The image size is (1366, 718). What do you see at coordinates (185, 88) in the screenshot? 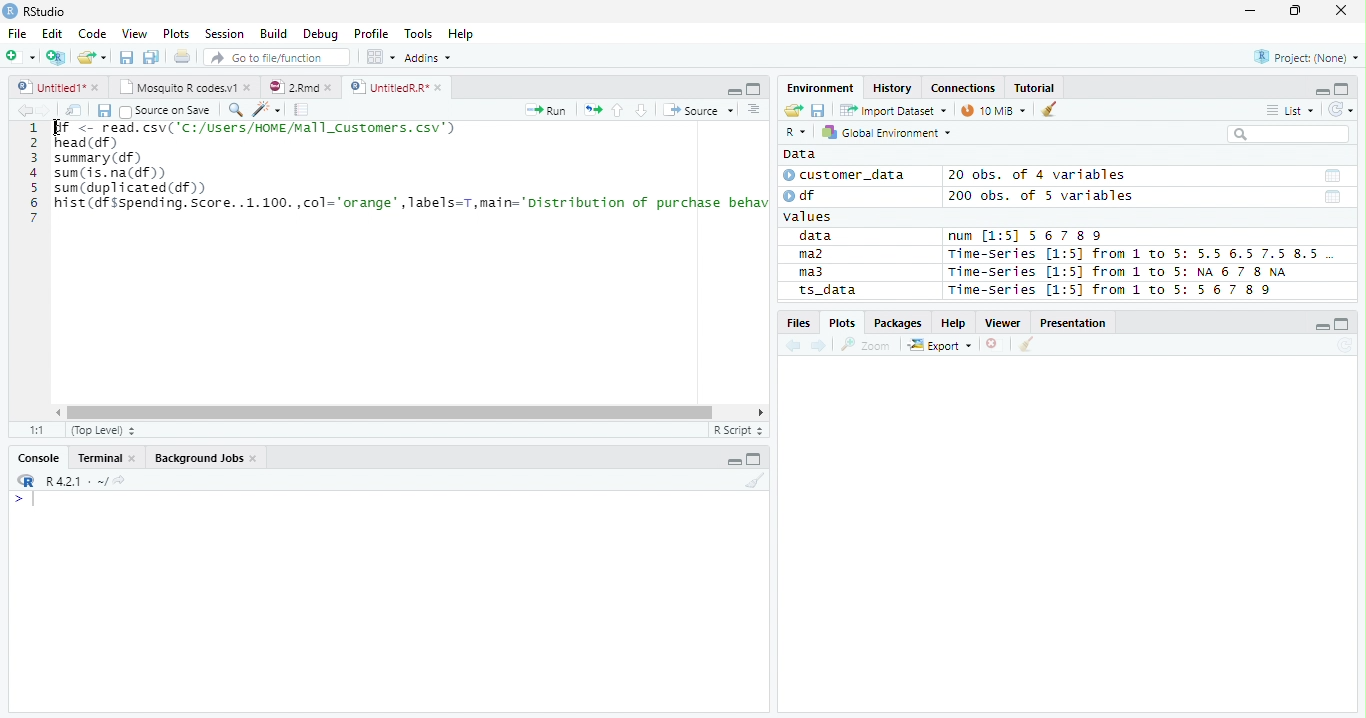
I see `Mosquito T codes.v1` at bounding box center [185, 88].